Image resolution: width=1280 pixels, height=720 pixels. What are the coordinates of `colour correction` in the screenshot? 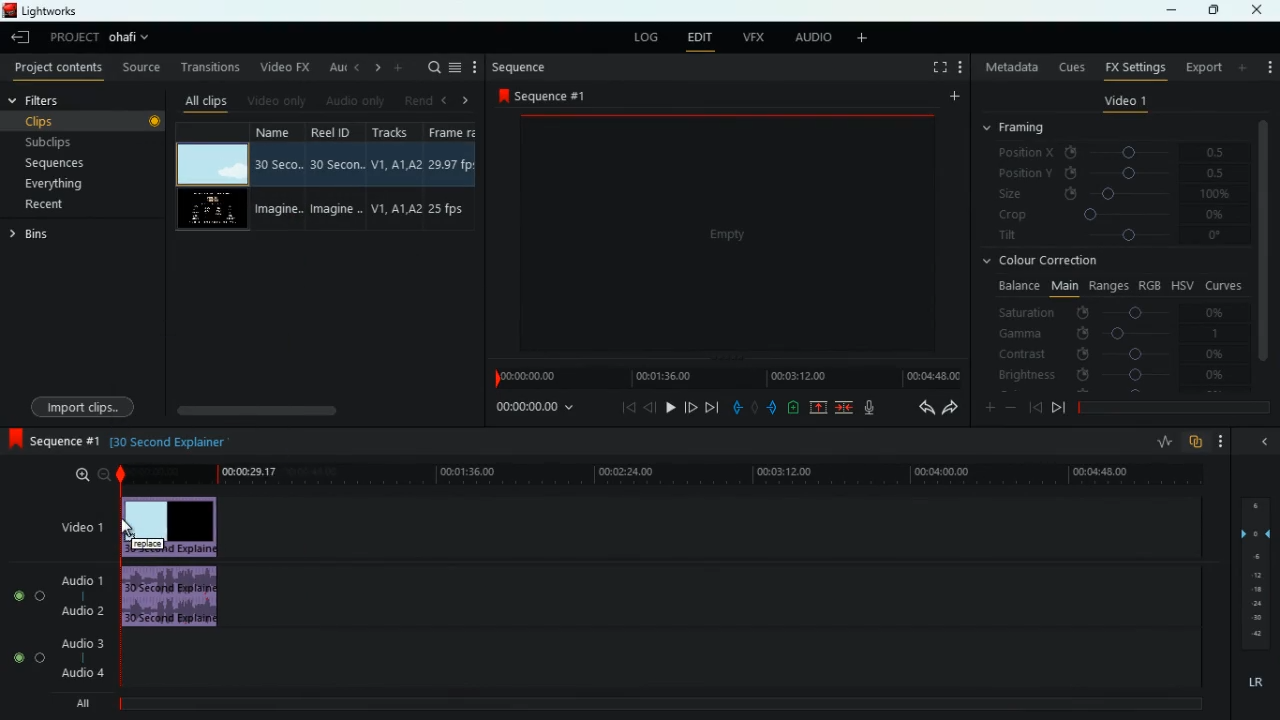 It's located at (1049, 262).